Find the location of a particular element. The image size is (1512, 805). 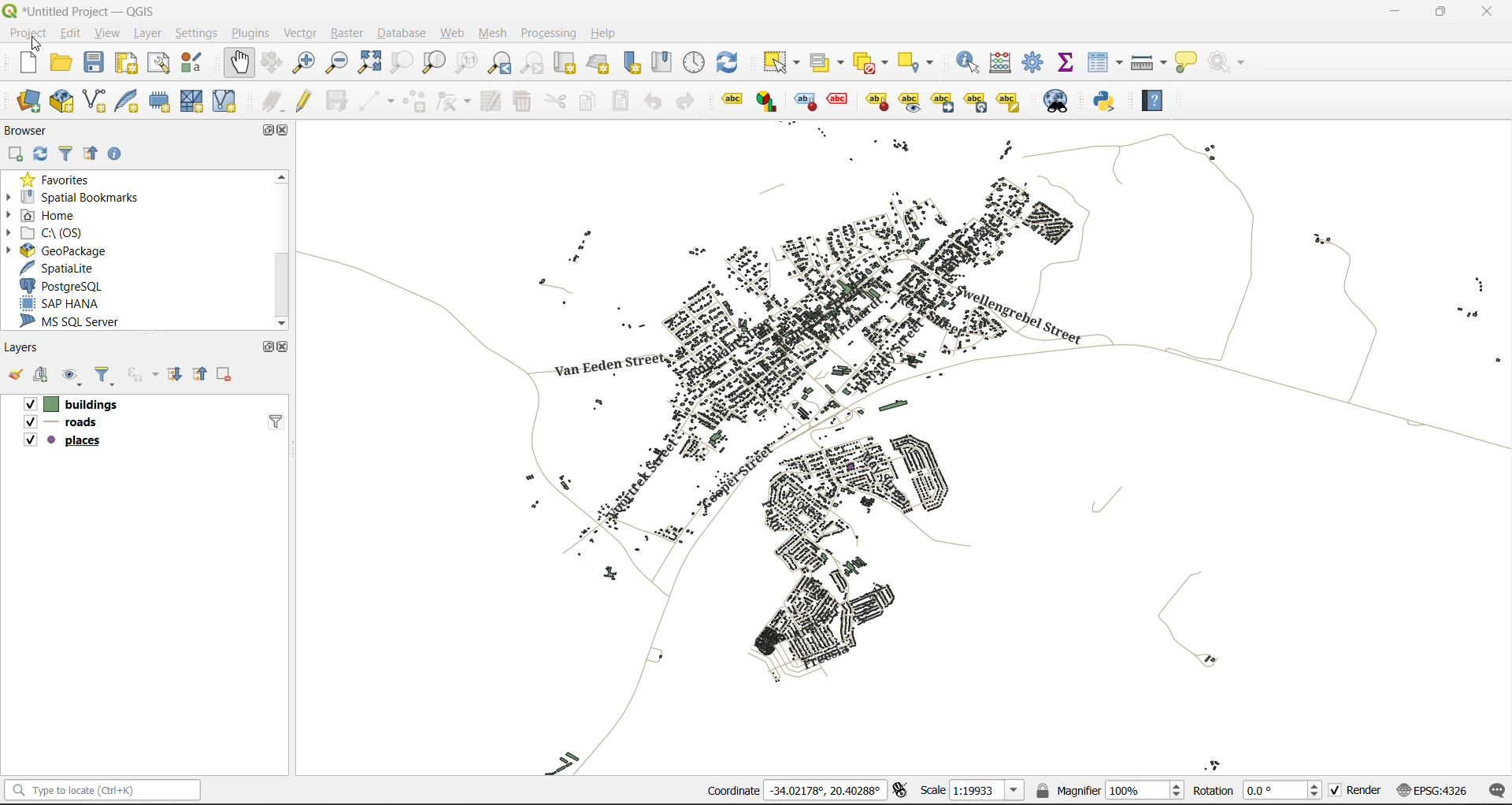

c\:os is located at coordinates (49, 233).